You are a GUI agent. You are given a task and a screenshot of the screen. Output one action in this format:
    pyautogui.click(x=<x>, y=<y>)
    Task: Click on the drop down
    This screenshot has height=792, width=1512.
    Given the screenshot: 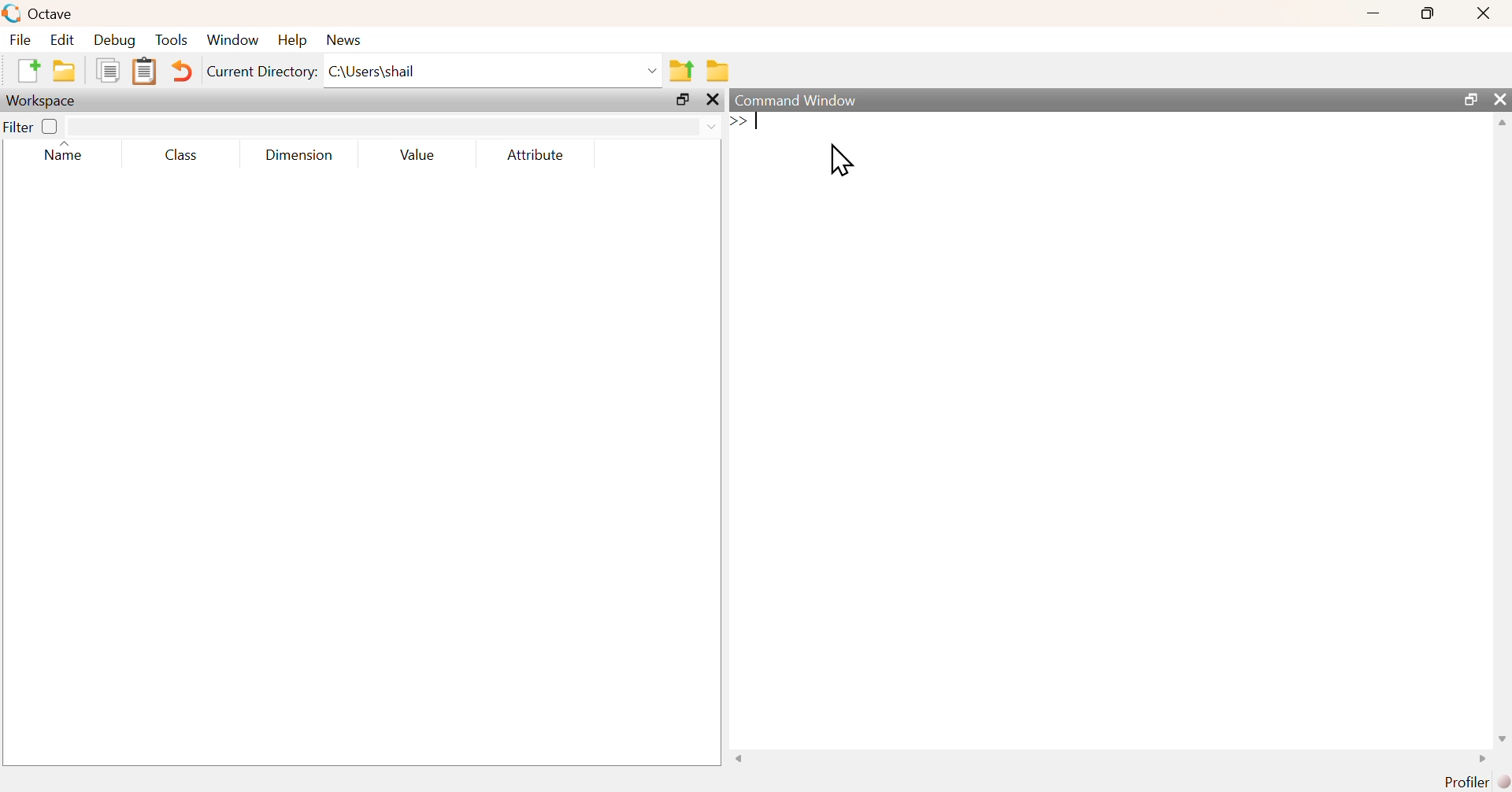 What is the action you would take?
    pyautogui.click(x=710, y=125)
    